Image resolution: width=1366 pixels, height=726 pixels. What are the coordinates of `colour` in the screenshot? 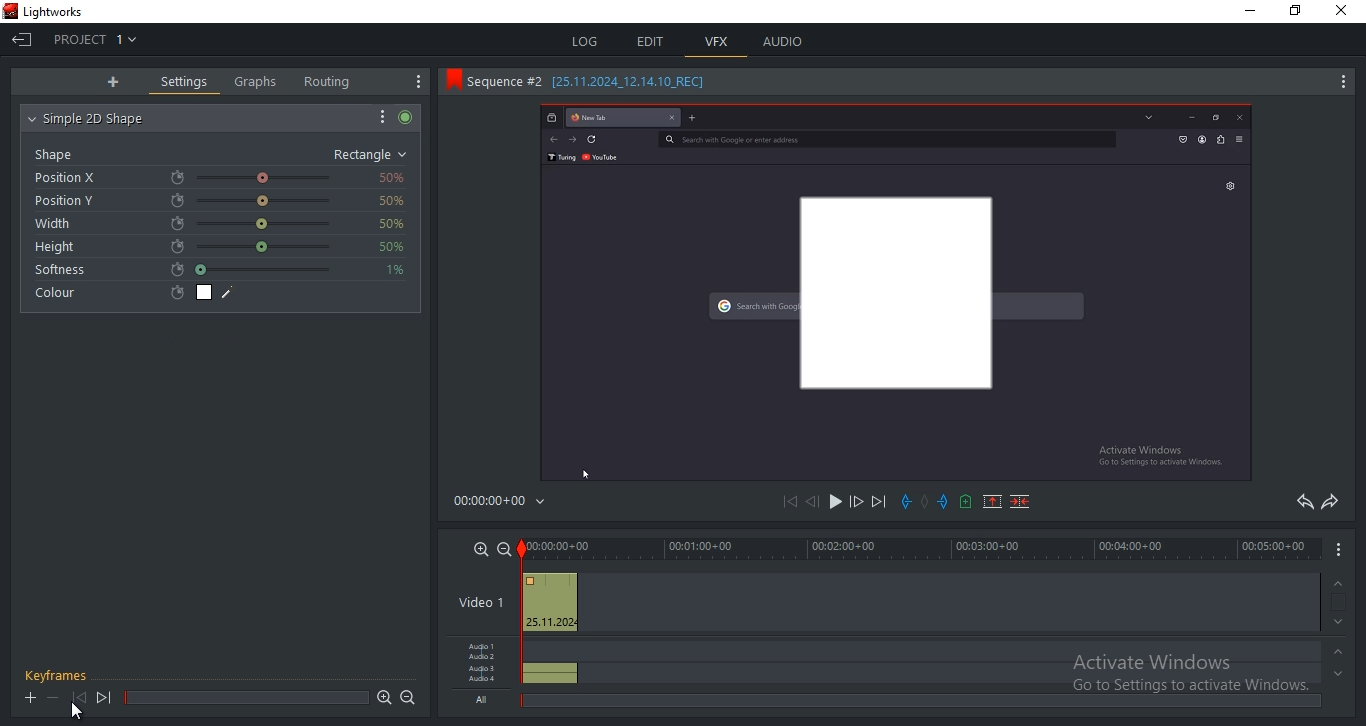 It's located at (143, 295).